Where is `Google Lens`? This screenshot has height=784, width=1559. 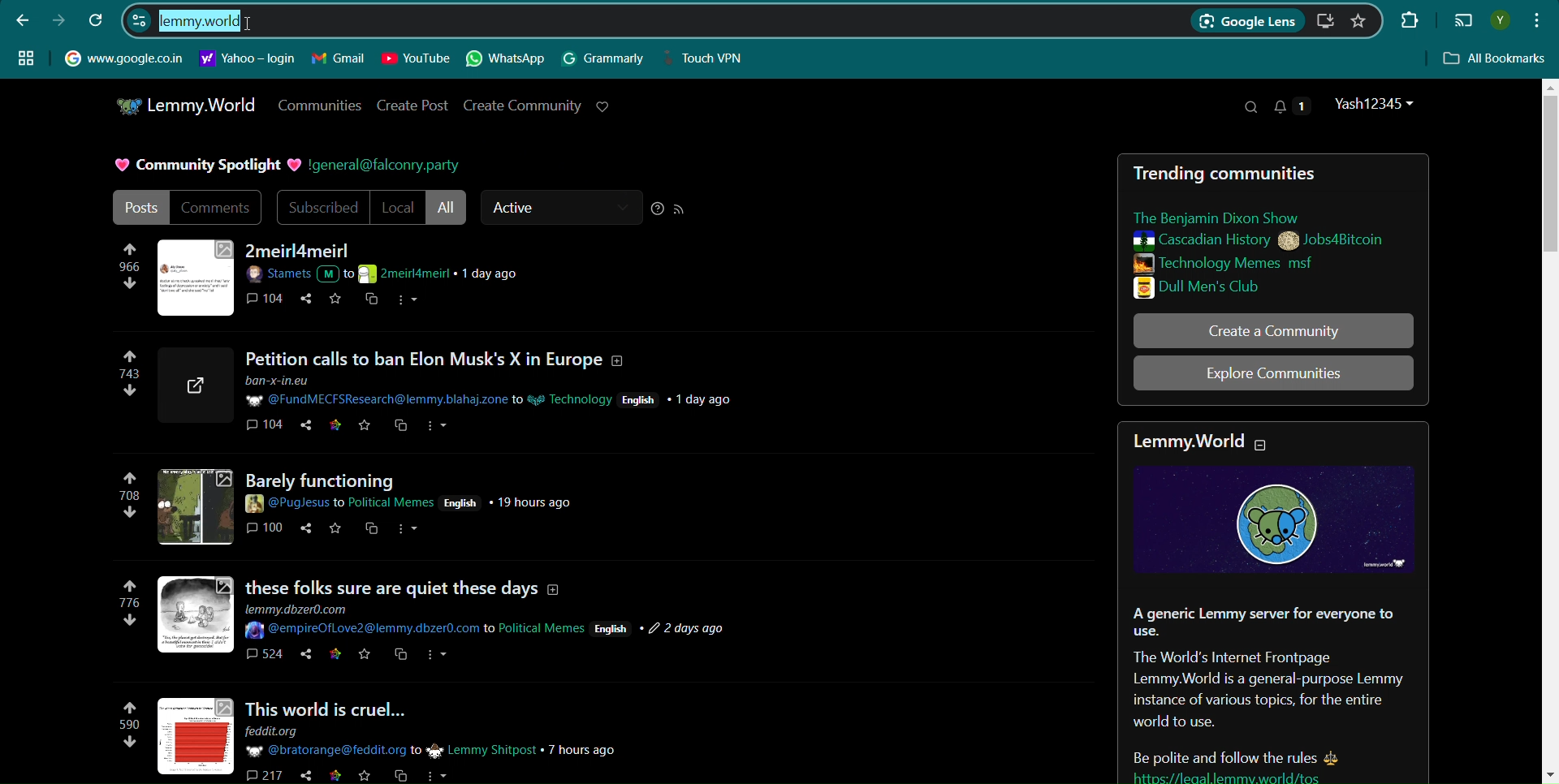 Google Lens is located at coordinates (1246, 22).